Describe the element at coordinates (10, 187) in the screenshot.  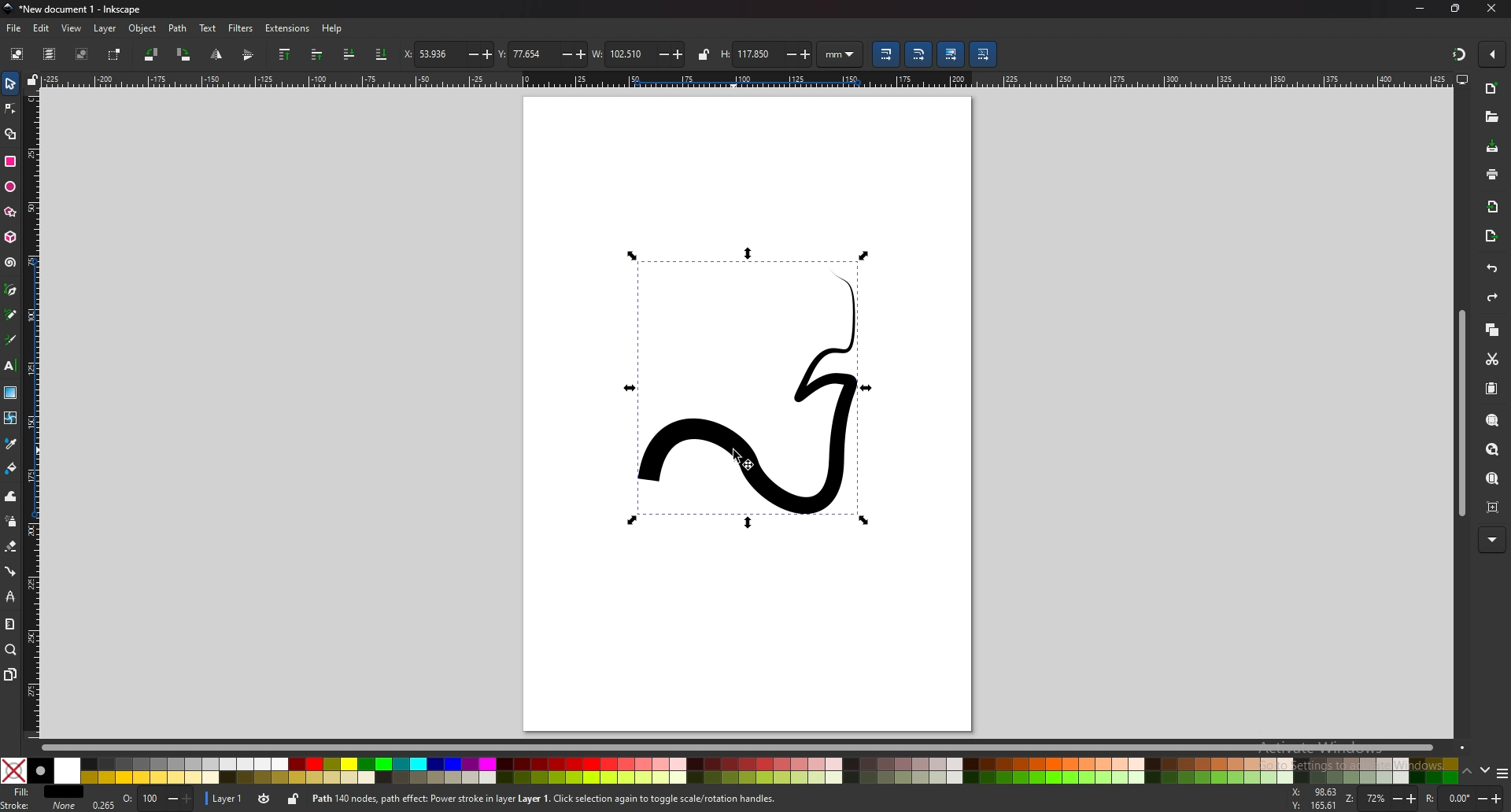
I see `ellipse` at that location.